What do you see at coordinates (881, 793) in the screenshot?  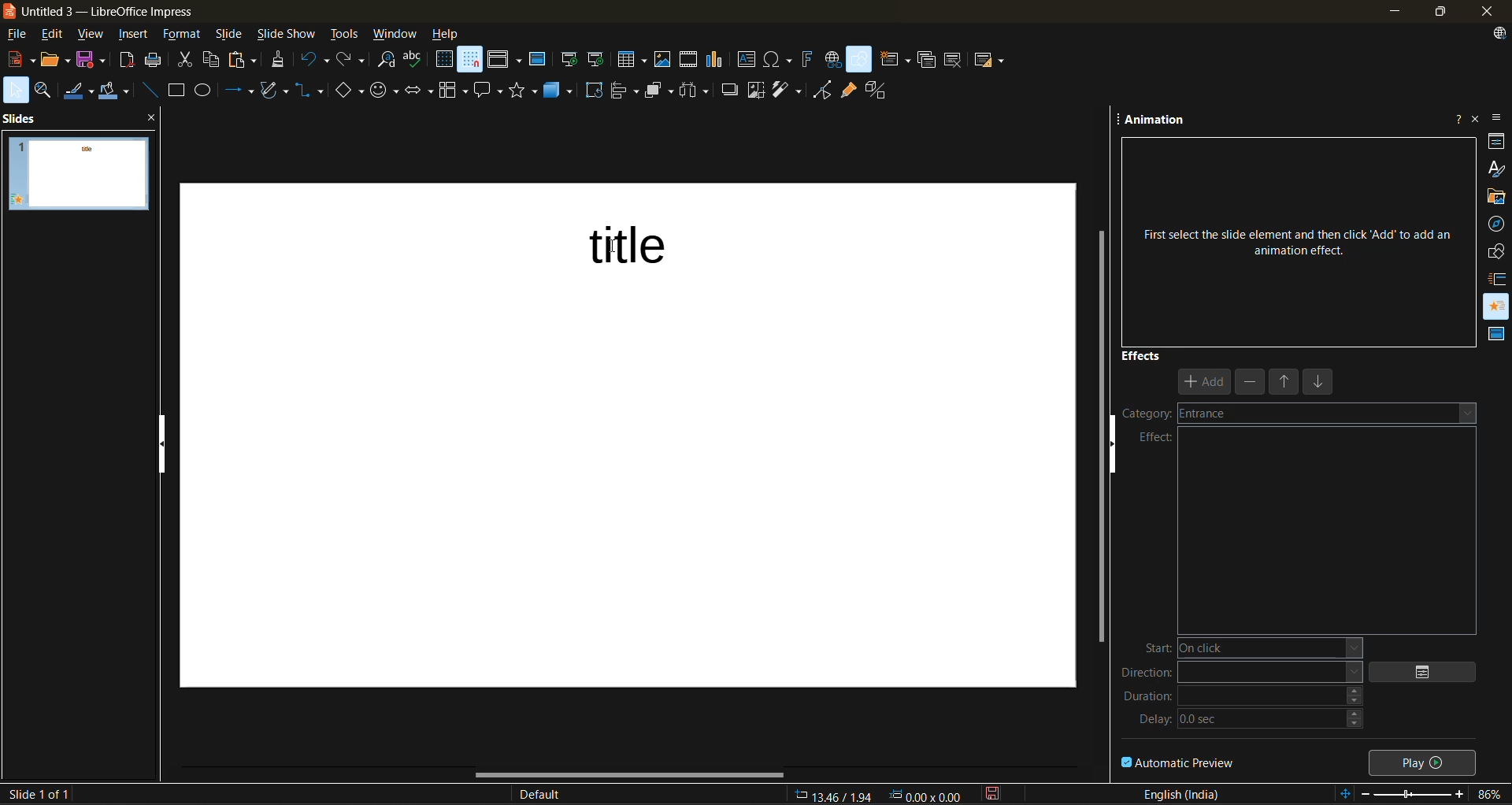 I see `co ordininates` at bounding box center [881, 793].